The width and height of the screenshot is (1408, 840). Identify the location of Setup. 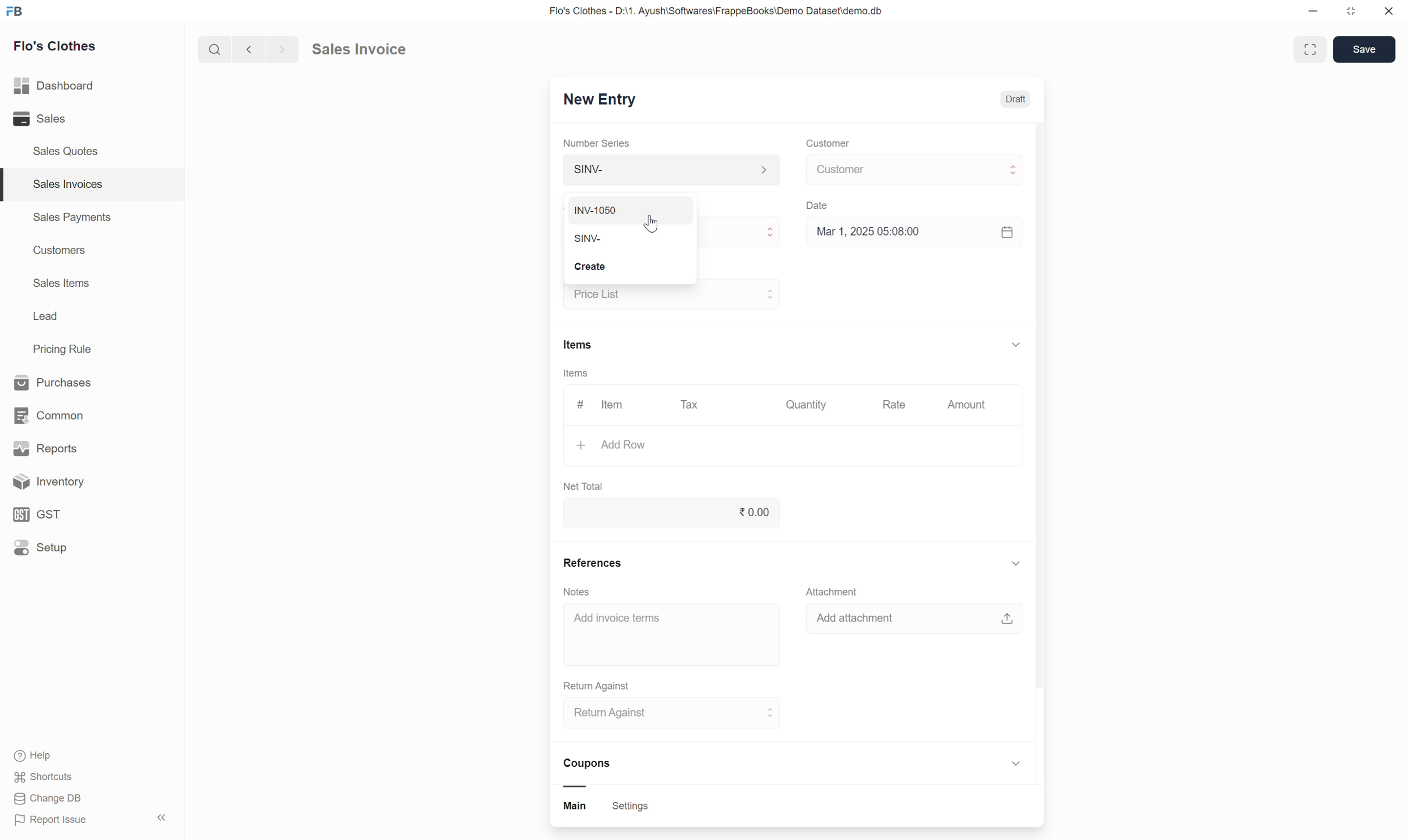
(82, 551).